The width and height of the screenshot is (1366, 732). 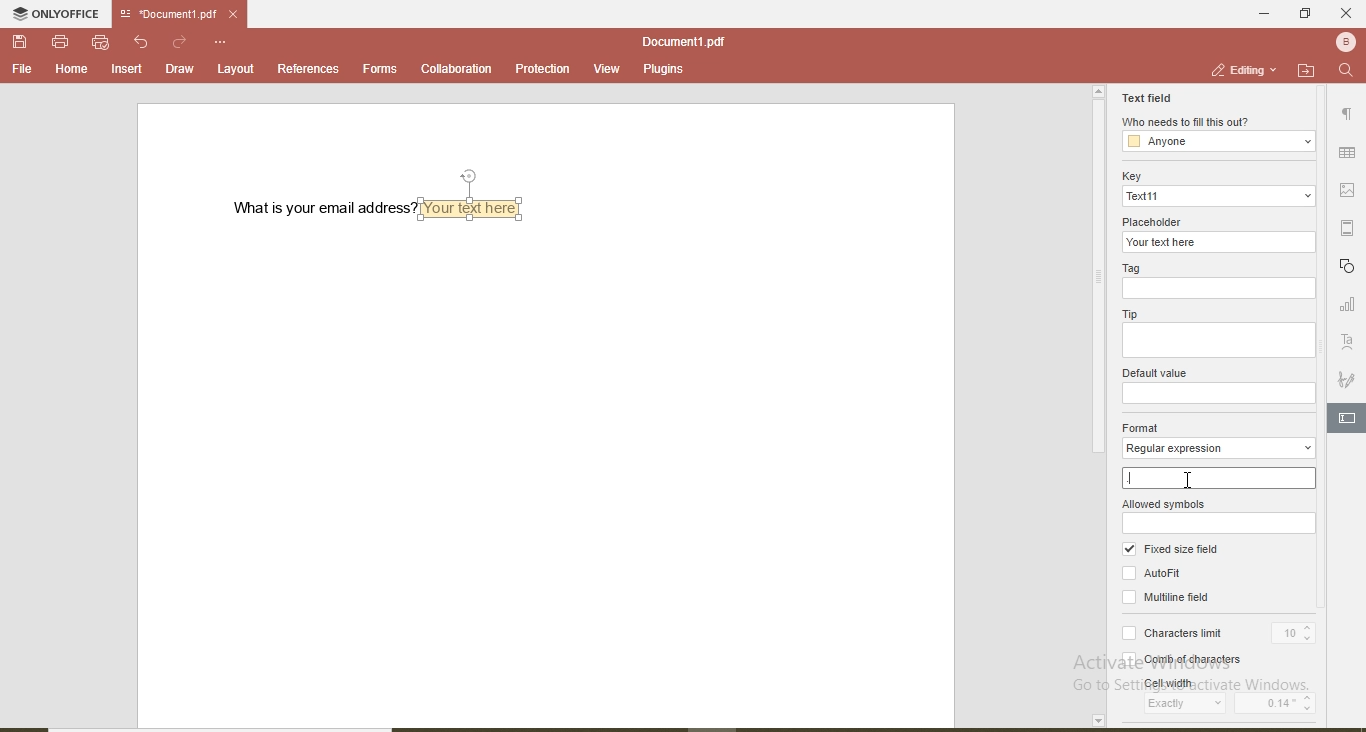 I want to click on paragraph, so click(x=1346, y=117).